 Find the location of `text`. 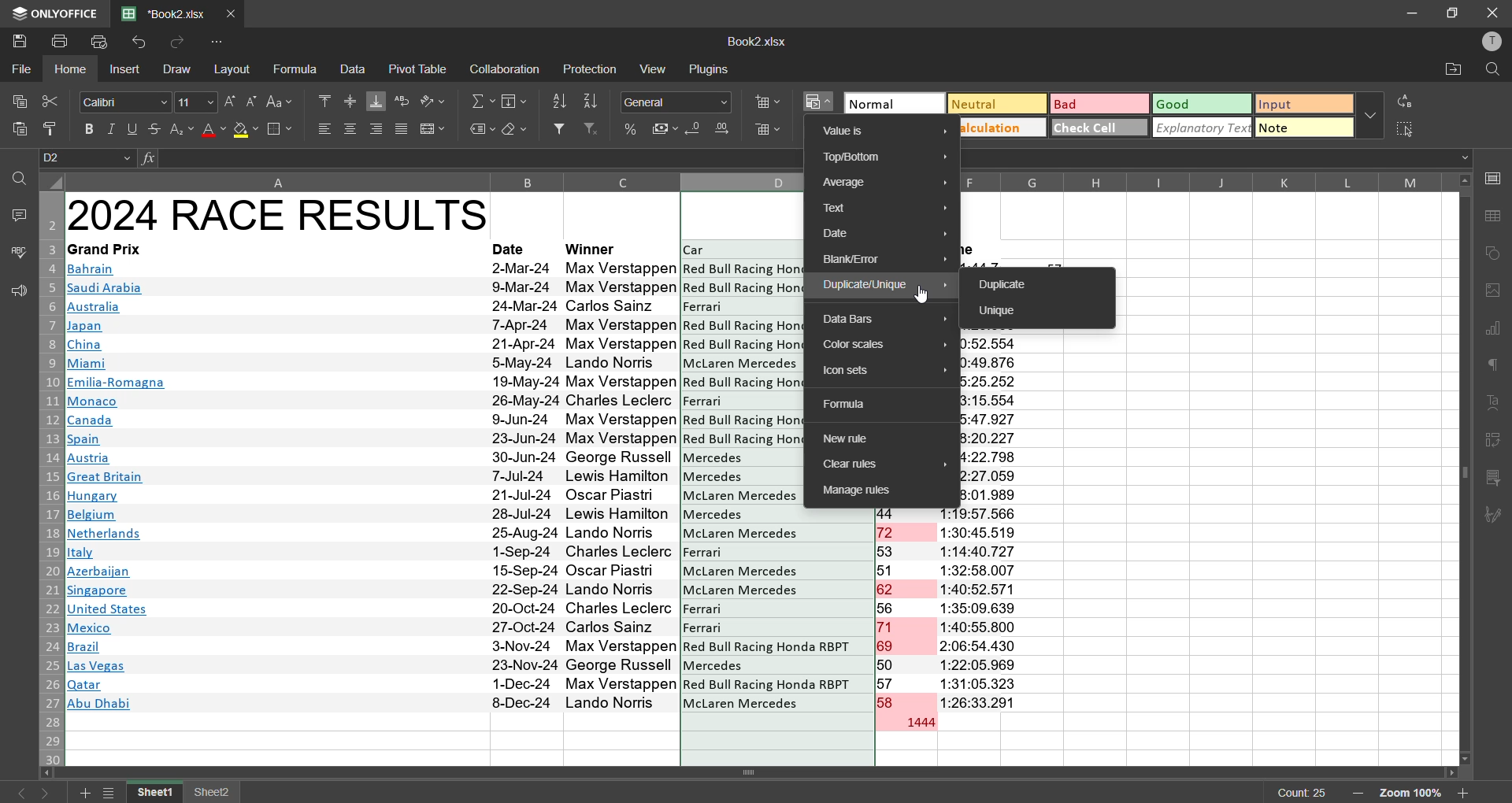

text is located at coordinates (883, 209).